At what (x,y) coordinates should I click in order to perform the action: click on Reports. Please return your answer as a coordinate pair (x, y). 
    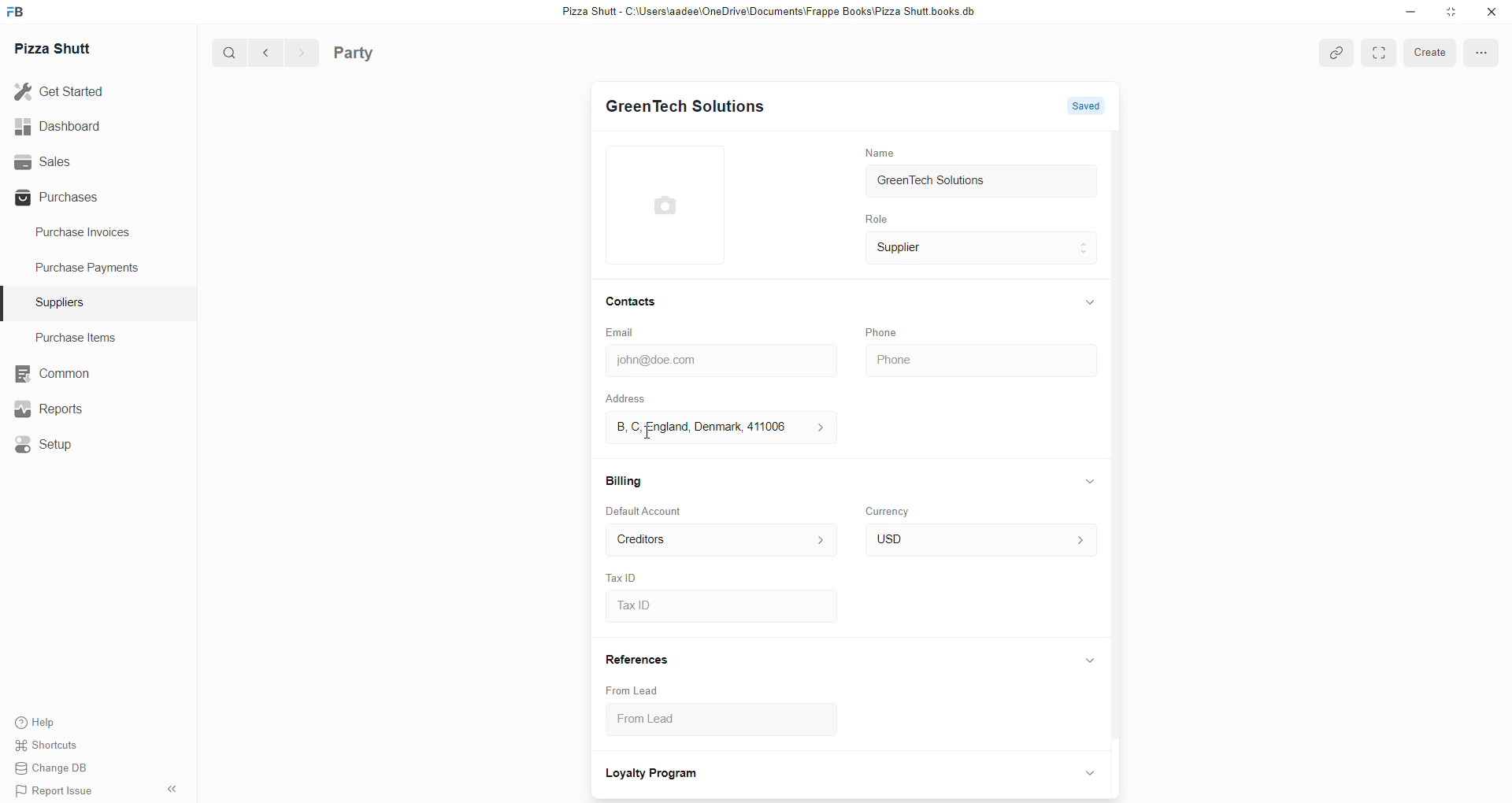
    Looking at the image, I should click on (51, 409).